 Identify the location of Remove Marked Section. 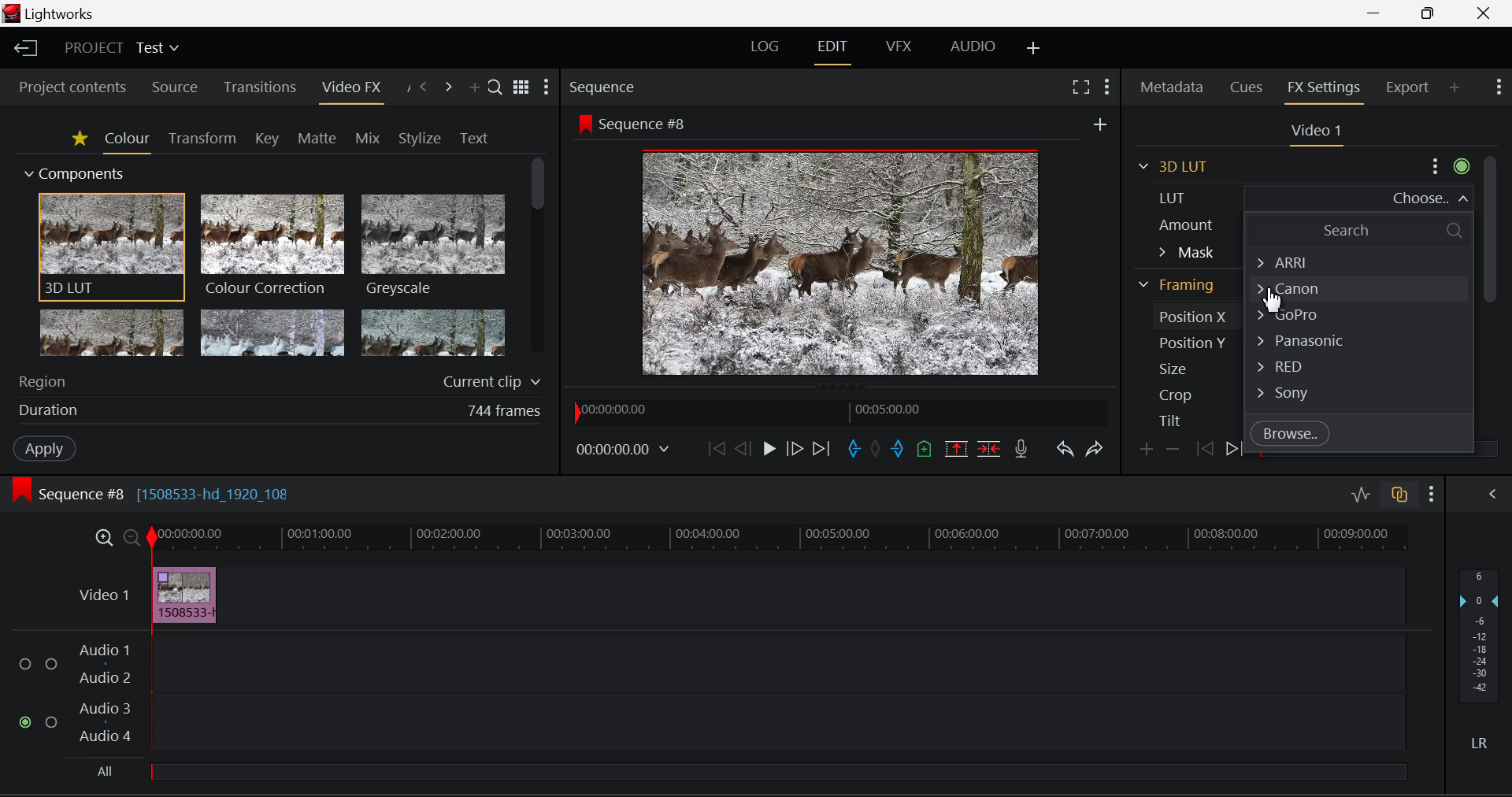
(954, 448).